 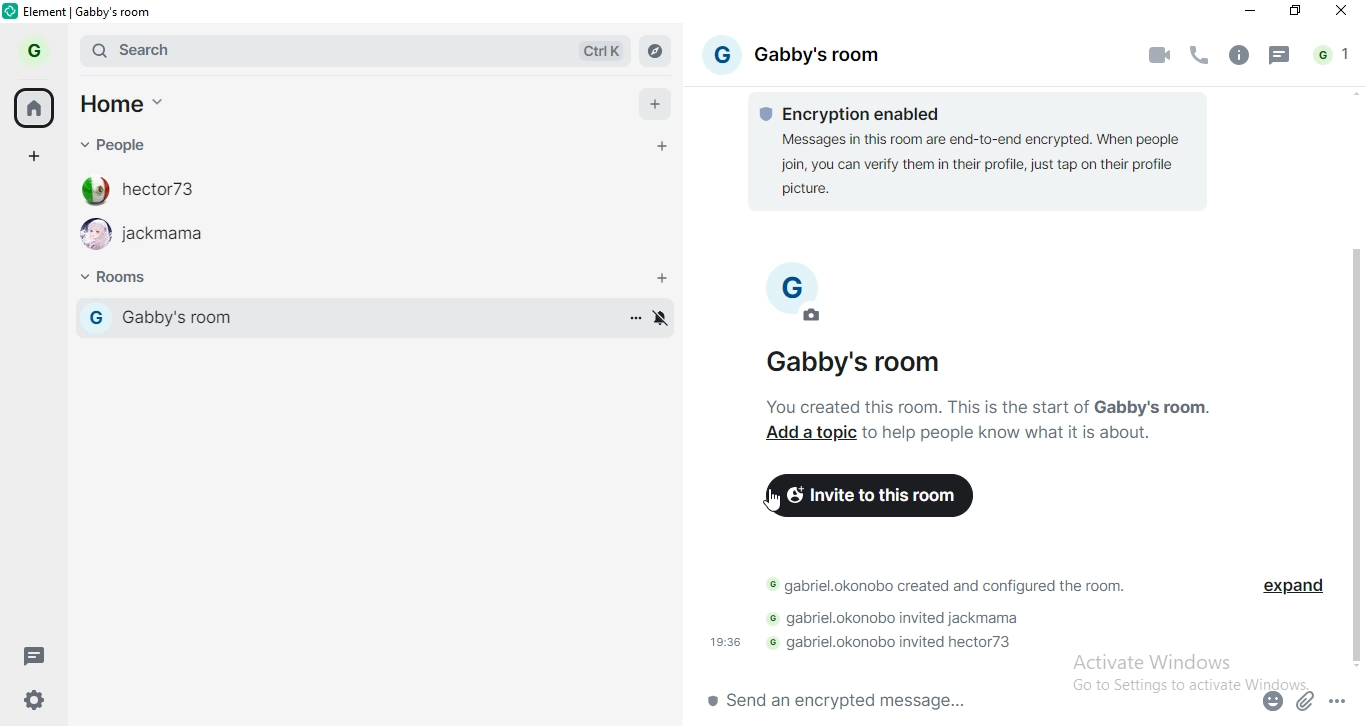 I want to click on Gabby's room, so click(x=853, y=363).